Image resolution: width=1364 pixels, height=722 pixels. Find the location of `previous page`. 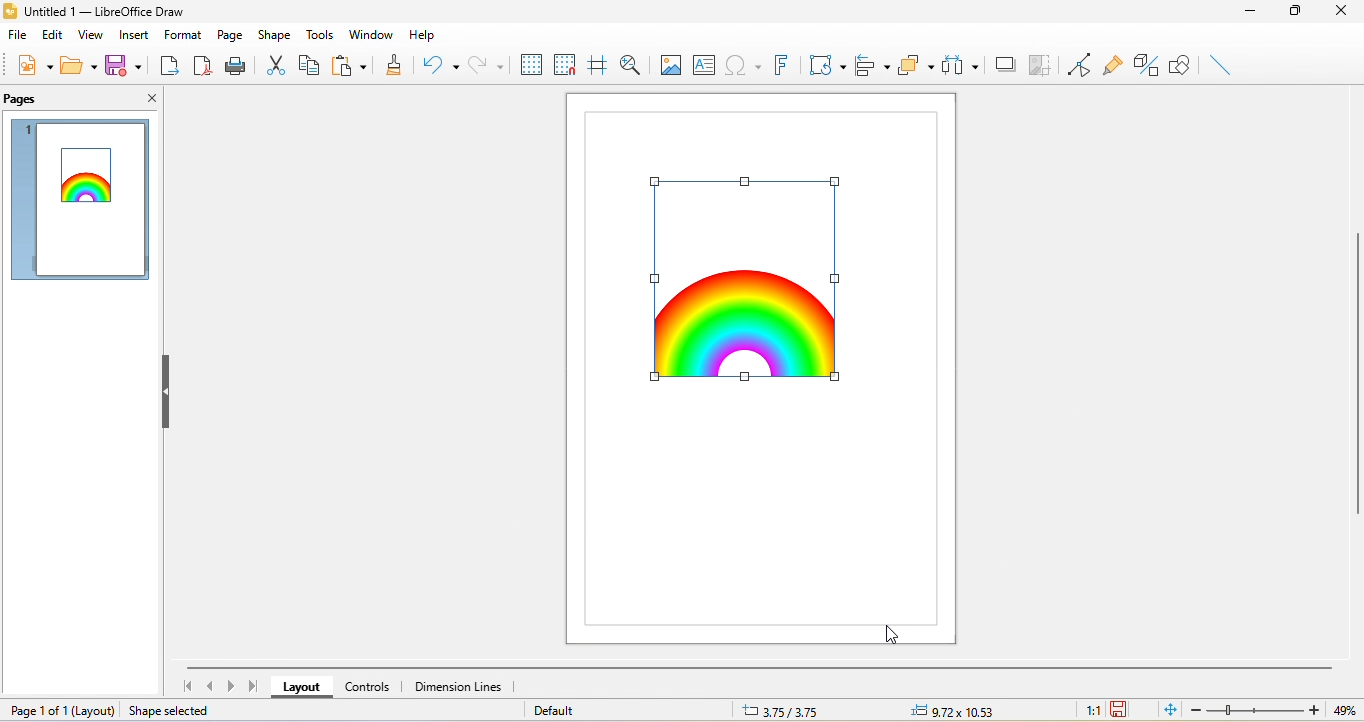

previous page is located at coordinates (208, 686).